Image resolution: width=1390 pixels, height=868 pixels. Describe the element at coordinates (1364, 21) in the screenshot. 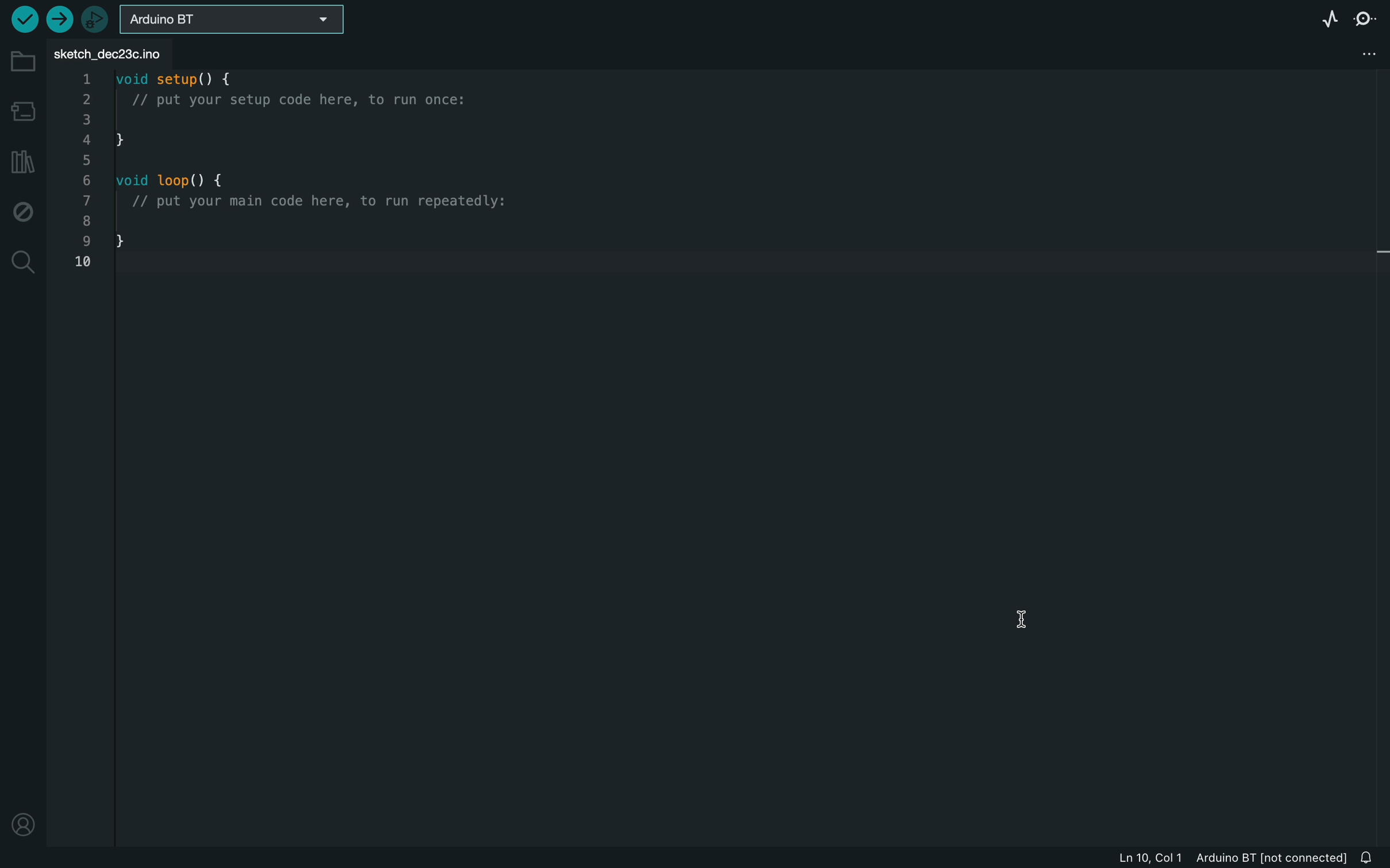

I see `serial monitor` at that location.